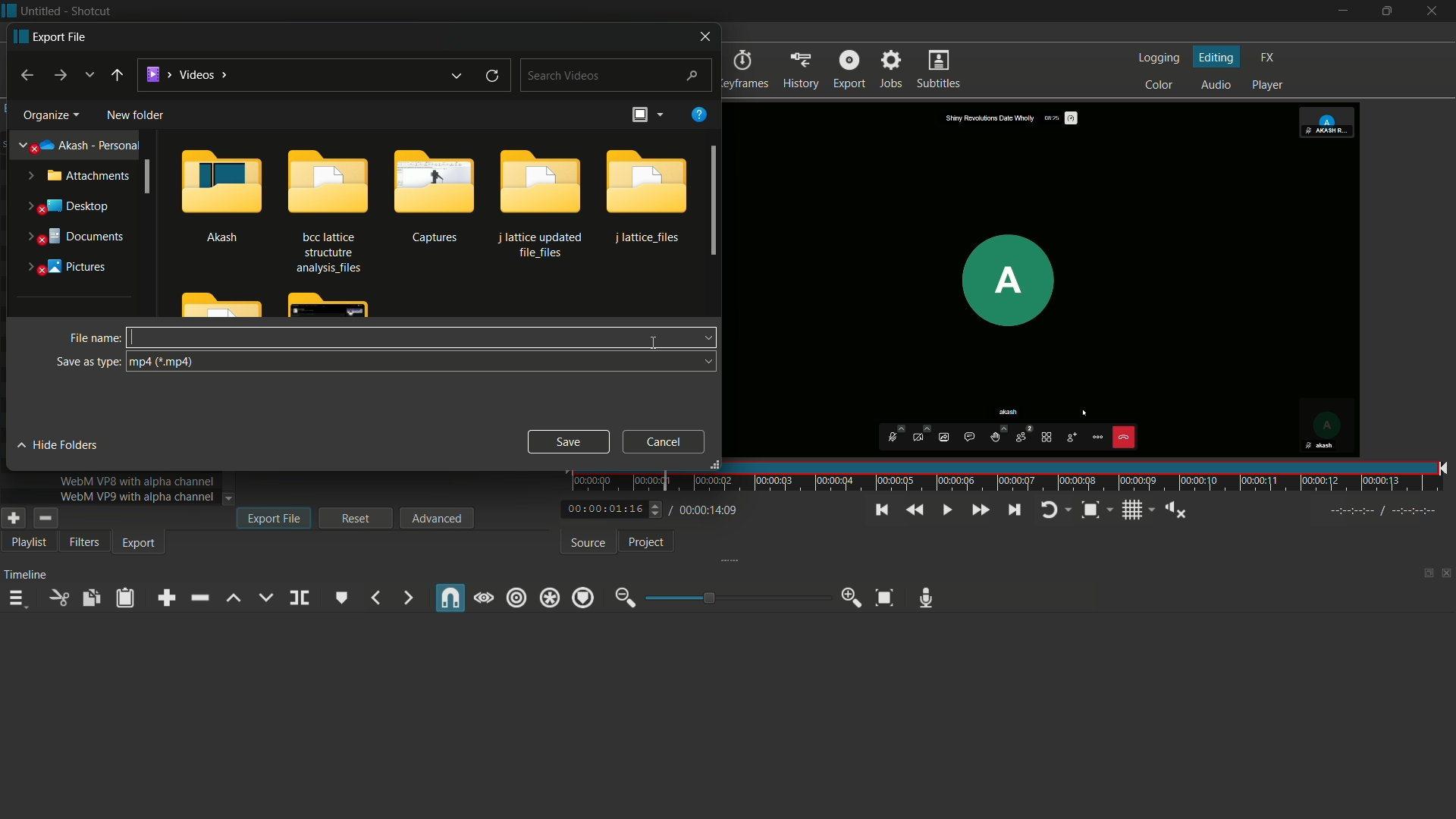 This screenshot has height=819, width=1456. Describe the element at coordinates (24, 75) in the screenshot. I see `back` at that location.